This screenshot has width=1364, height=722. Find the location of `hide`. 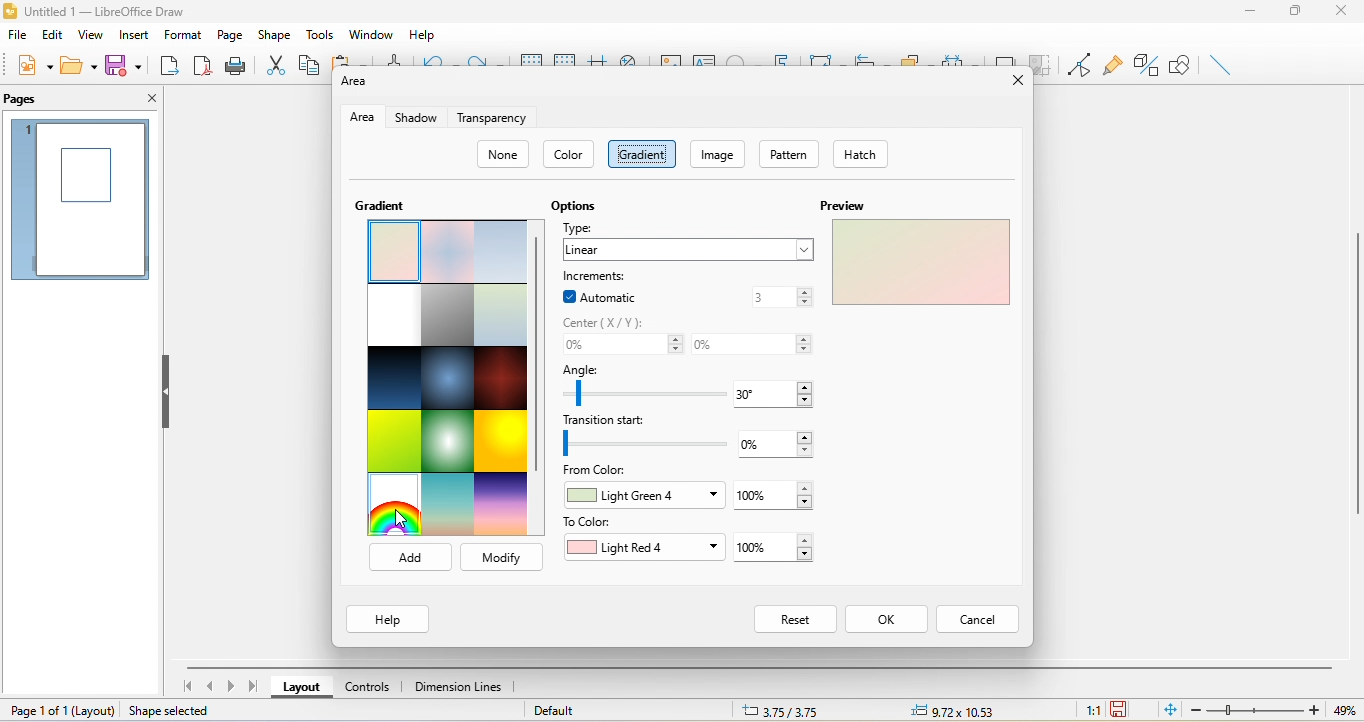

hide is located at coordinates (166, 389).